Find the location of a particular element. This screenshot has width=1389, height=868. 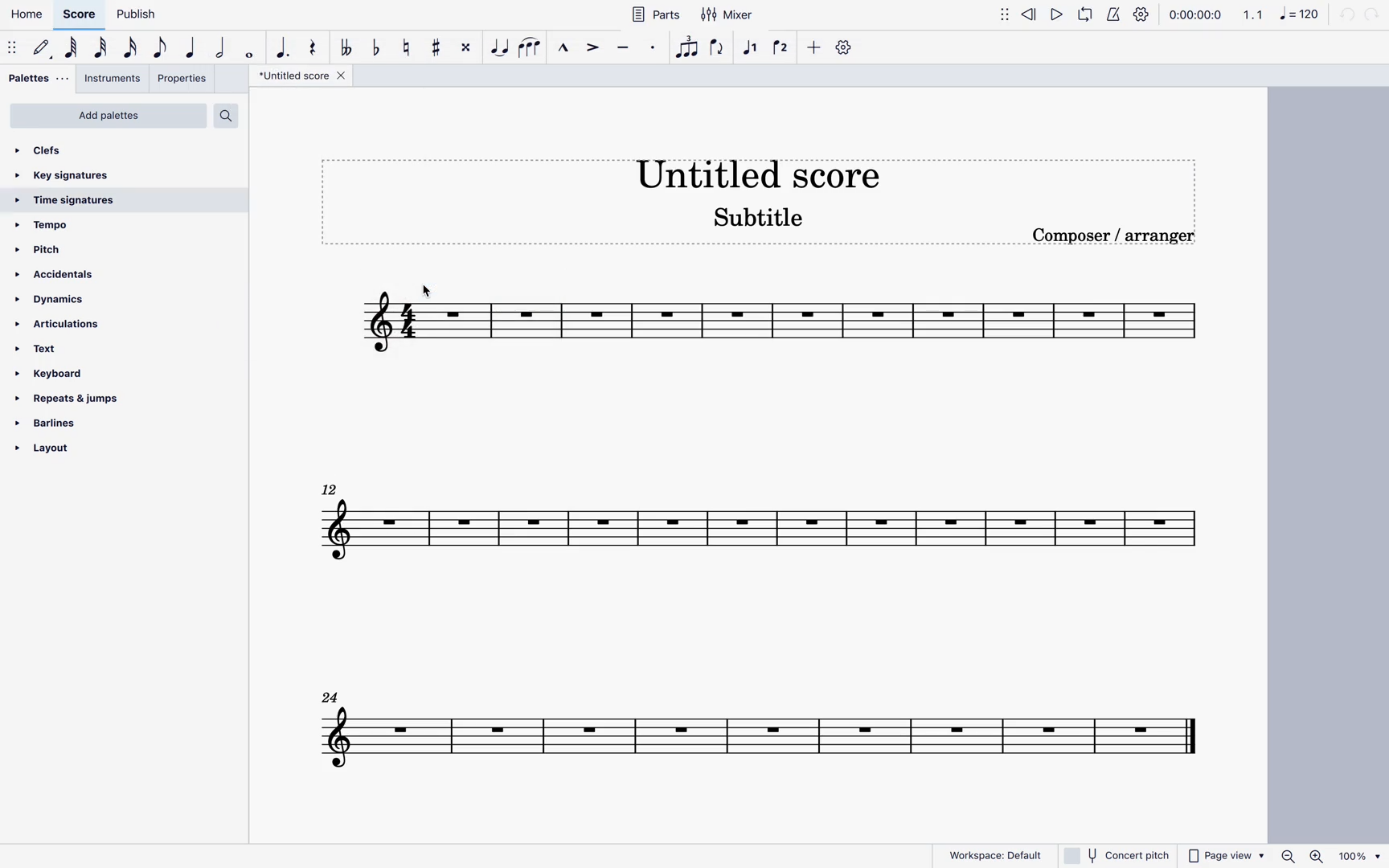

tenuto is located at coordinates (623, 48).